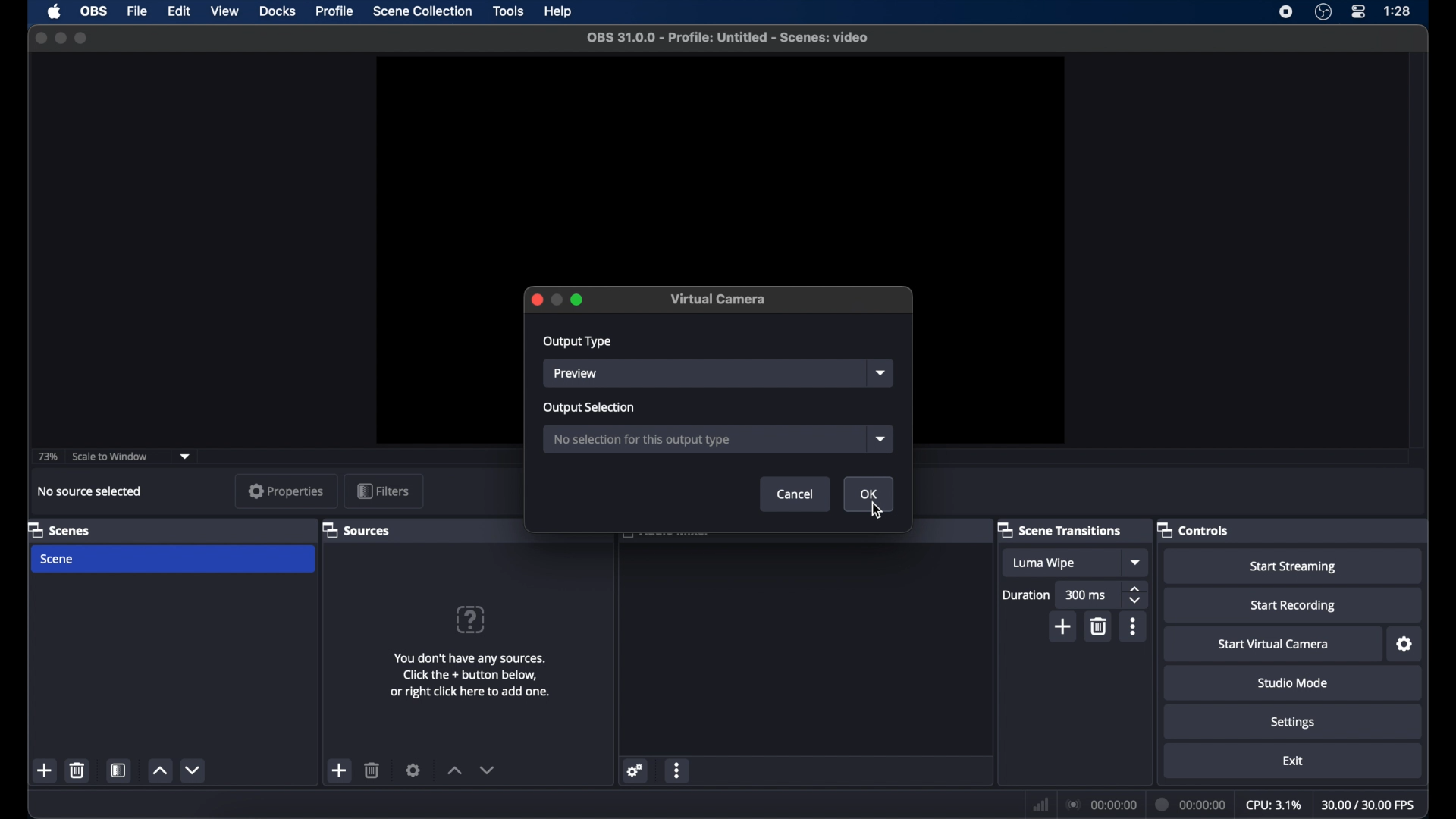  I want to click on ok, so click(868, 494).